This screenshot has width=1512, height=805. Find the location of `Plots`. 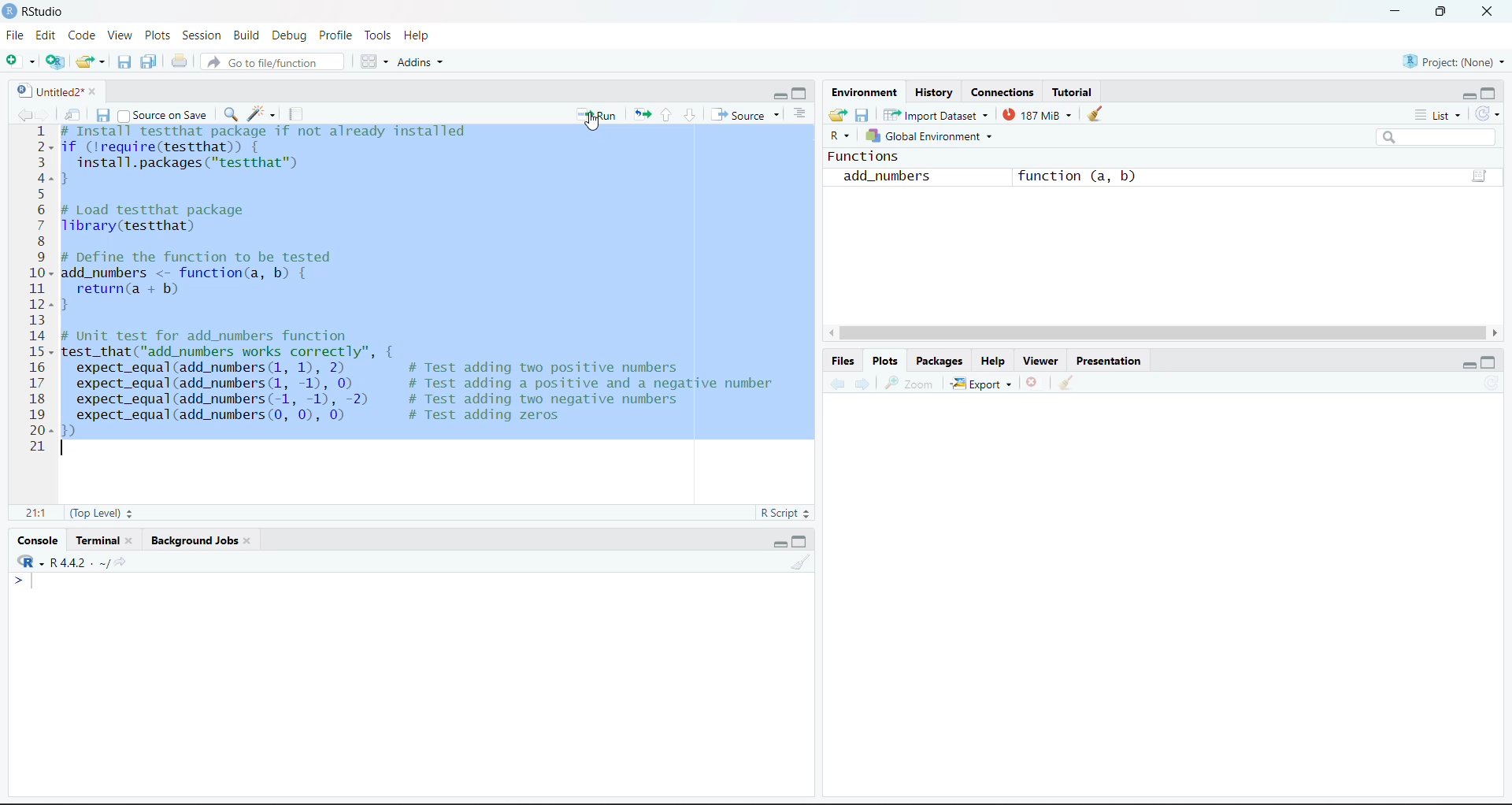

Plots is located at coordinates (884, 362).